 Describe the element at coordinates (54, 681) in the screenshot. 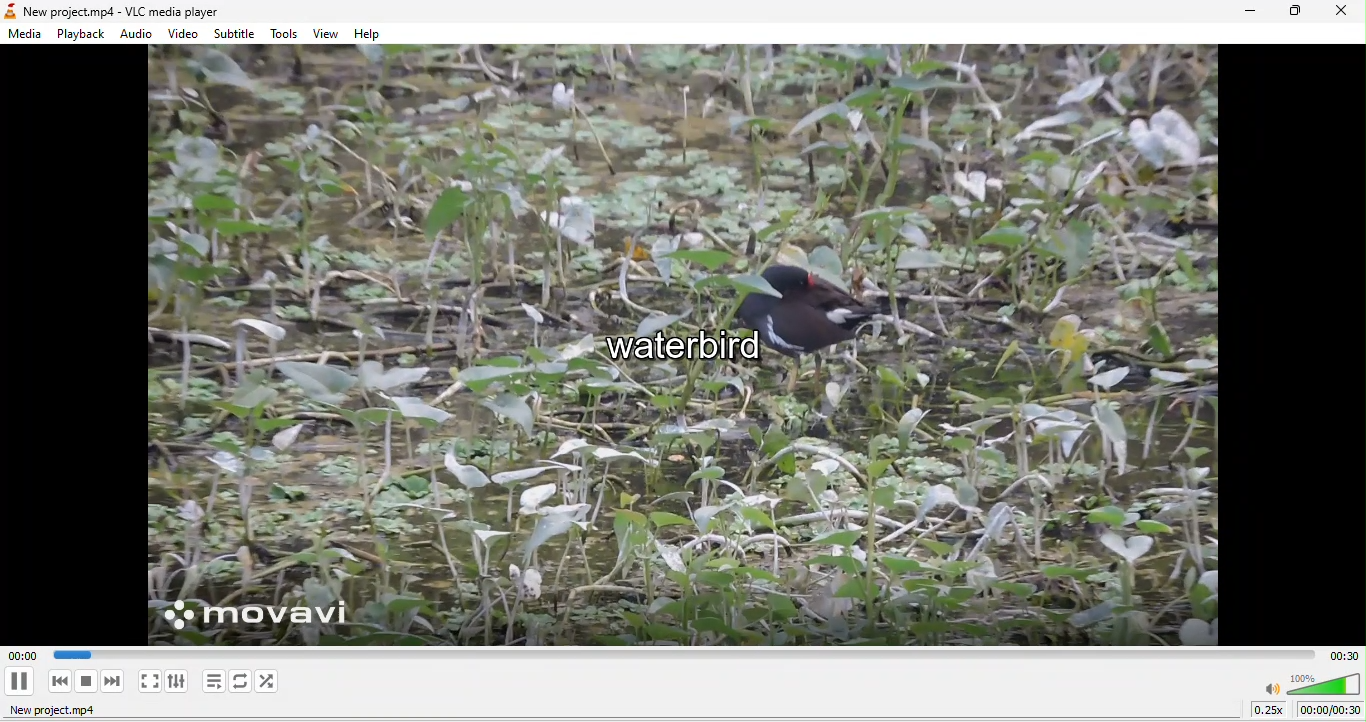

I see `previous media` at that location.